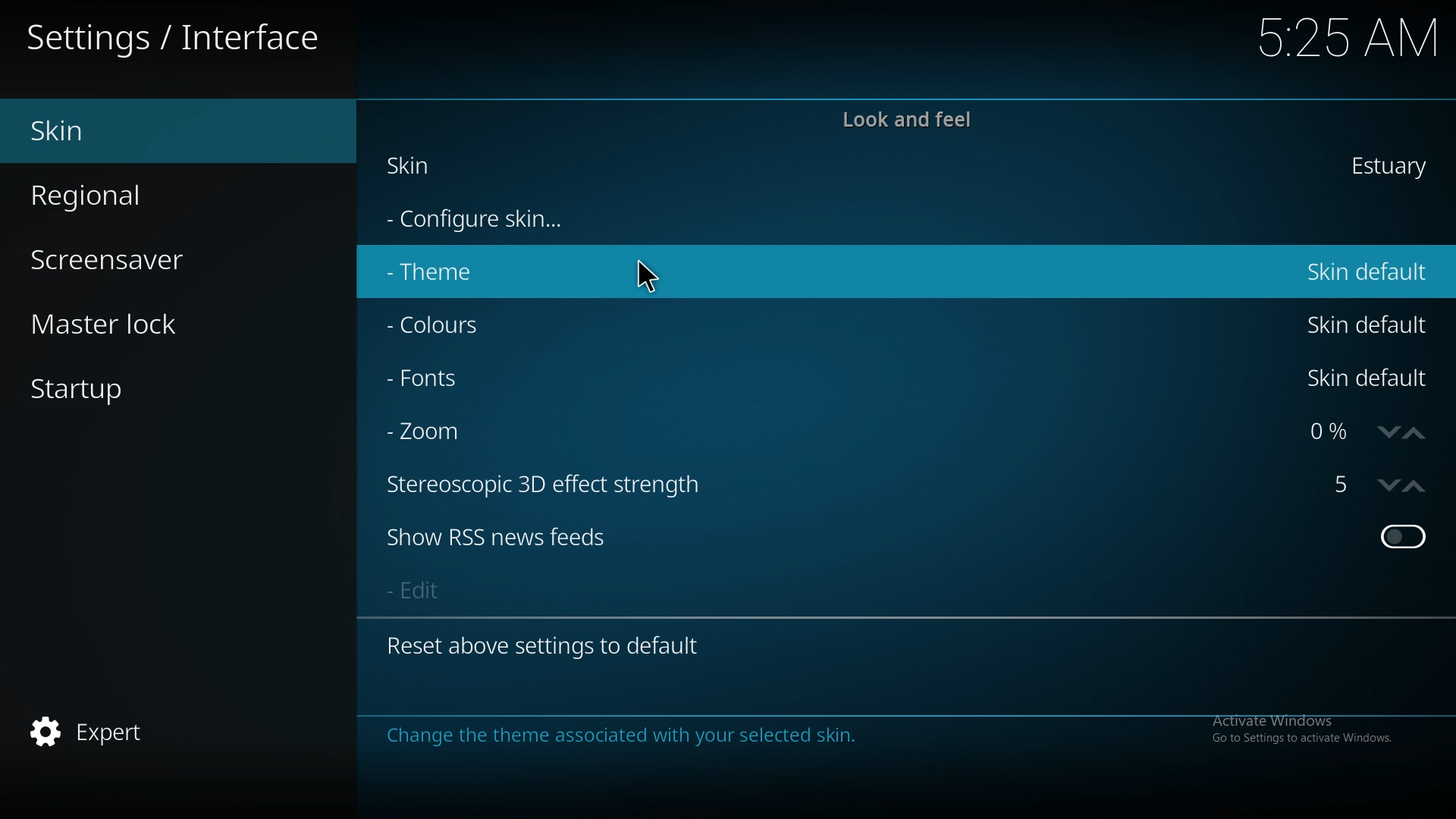 Image resolution: width=1456 pixels, height=819 pixels. Describe the element at coordinates (485, 378) in the screenshot. I see `fonts` at that location.